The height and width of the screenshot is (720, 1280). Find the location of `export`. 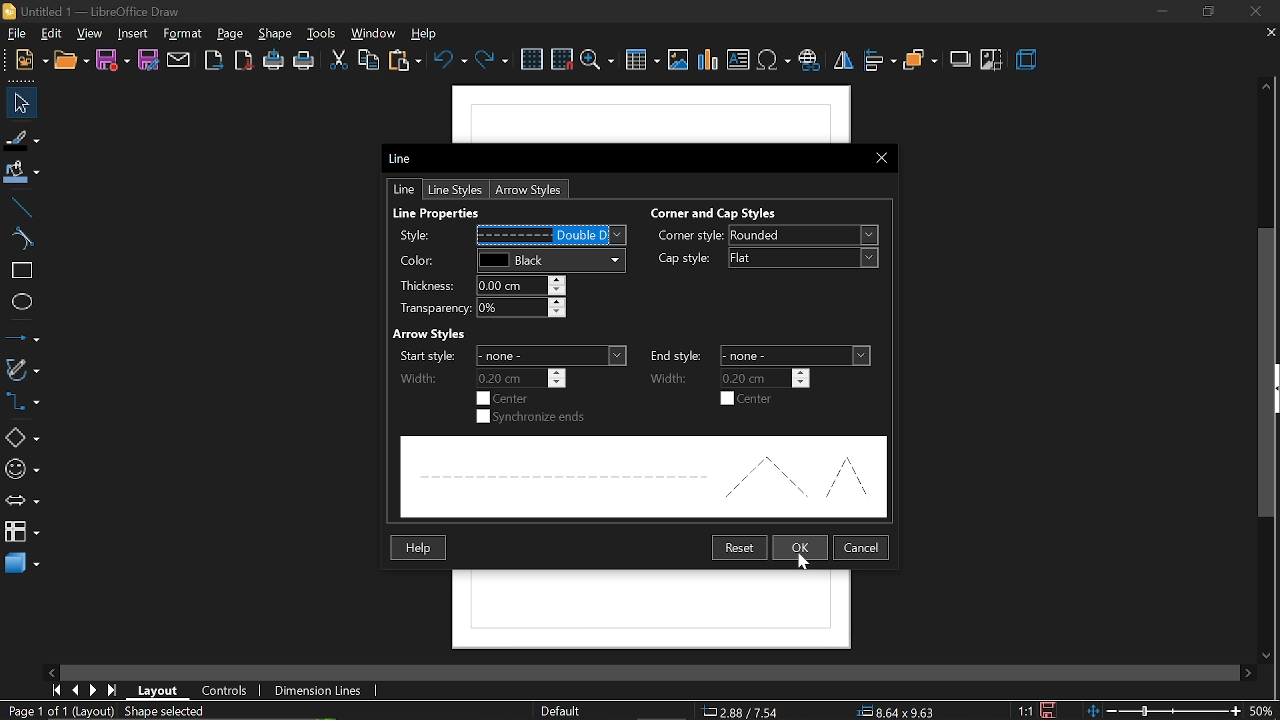

export is located at coordinates (211, 60).